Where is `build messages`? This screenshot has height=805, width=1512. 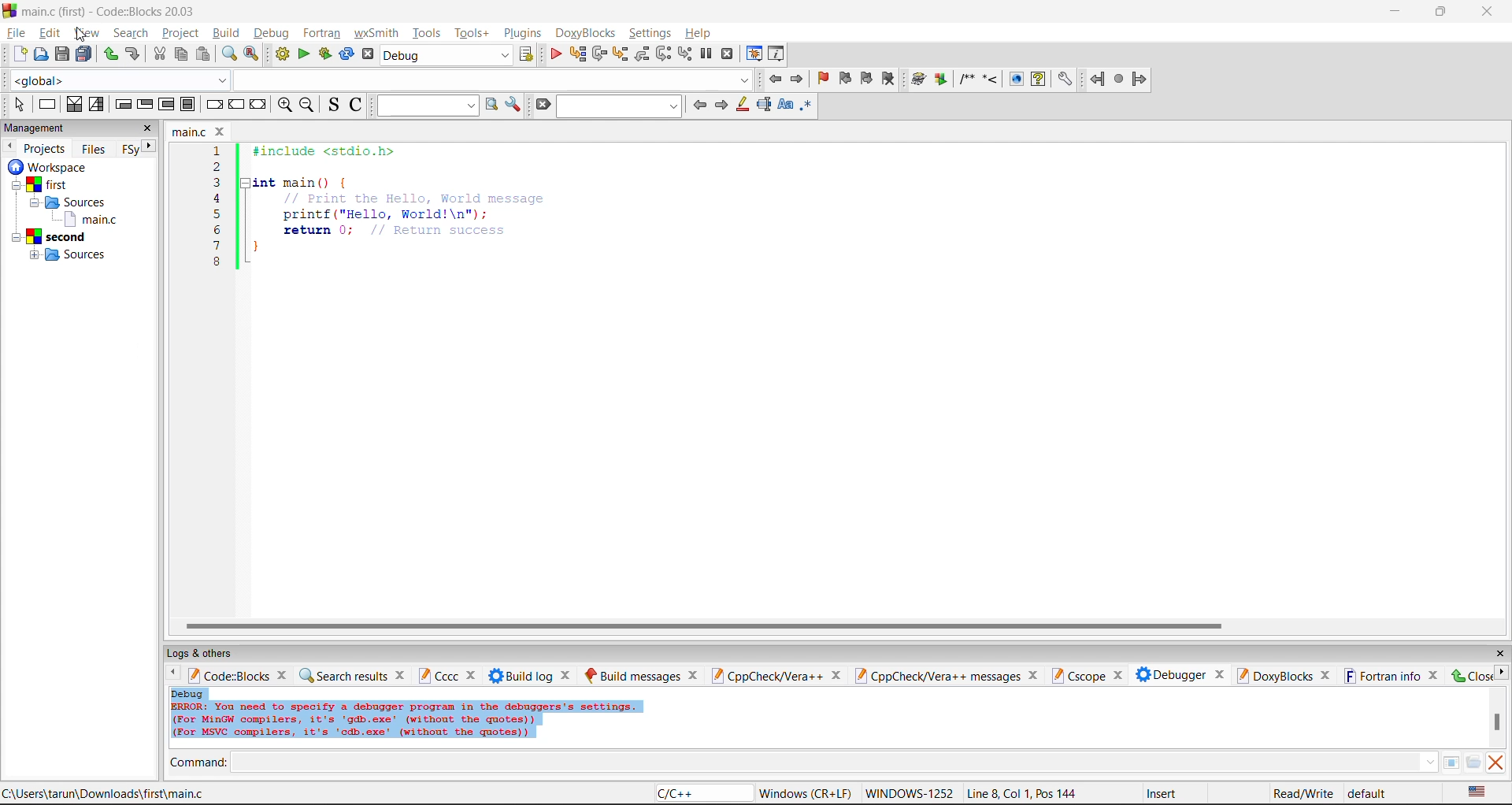 build messages is located at coordinates (643, 674).